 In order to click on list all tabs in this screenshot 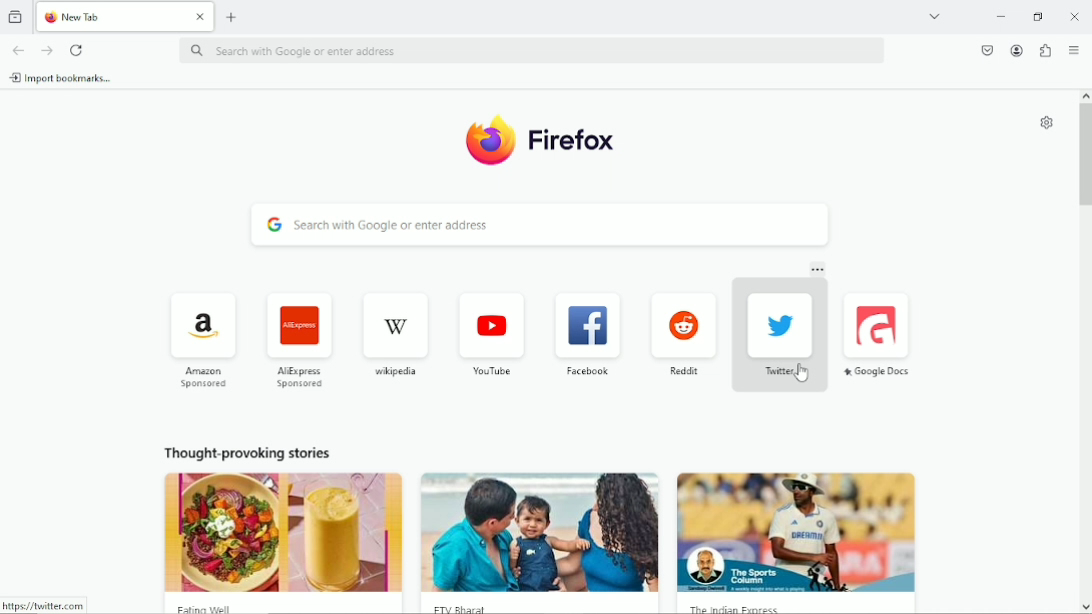, I will do `click(934, 15)`.